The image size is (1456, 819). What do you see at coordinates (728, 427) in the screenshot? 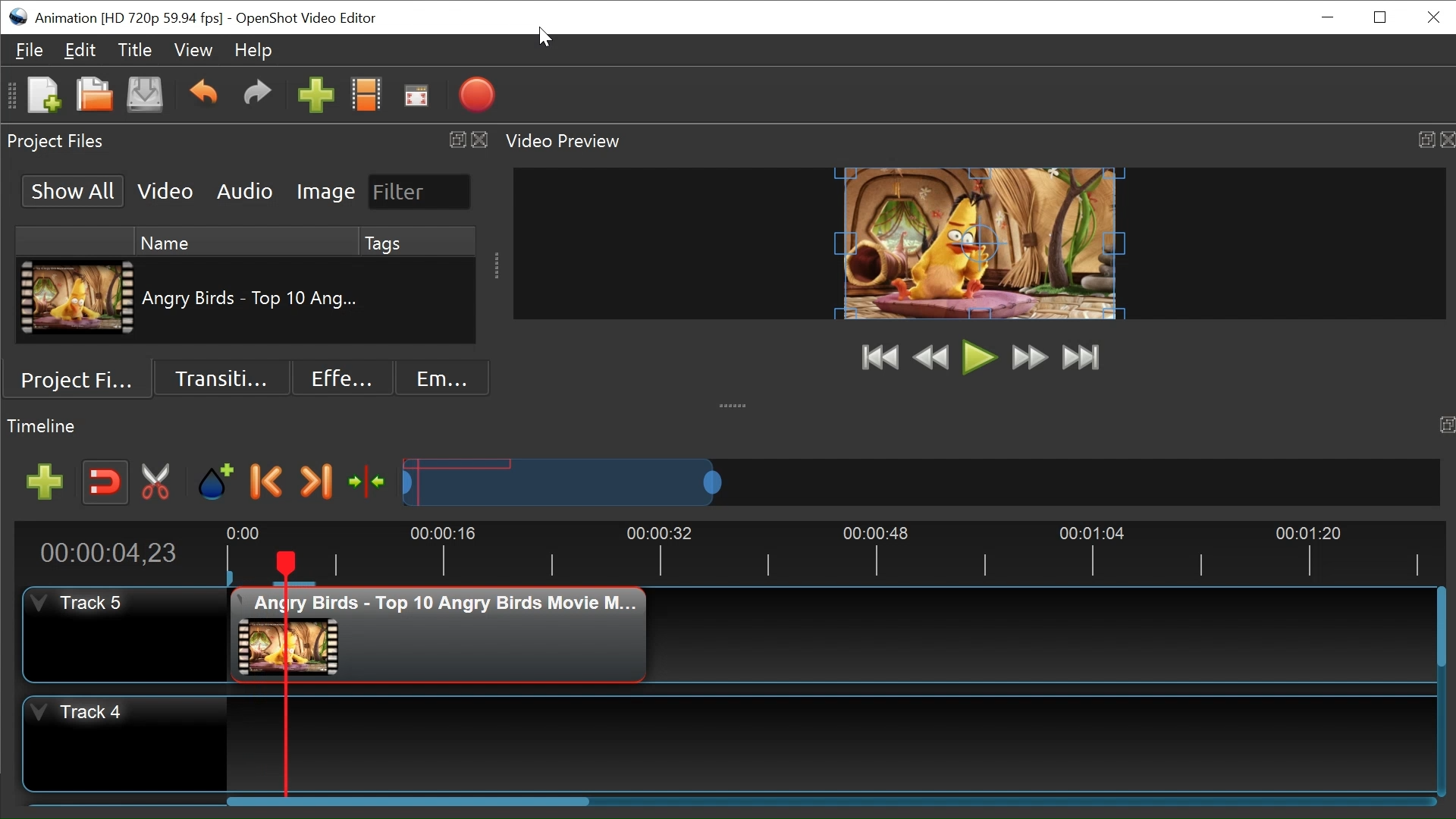
I see `Timeline Panel` at bounding box center [728, 427].